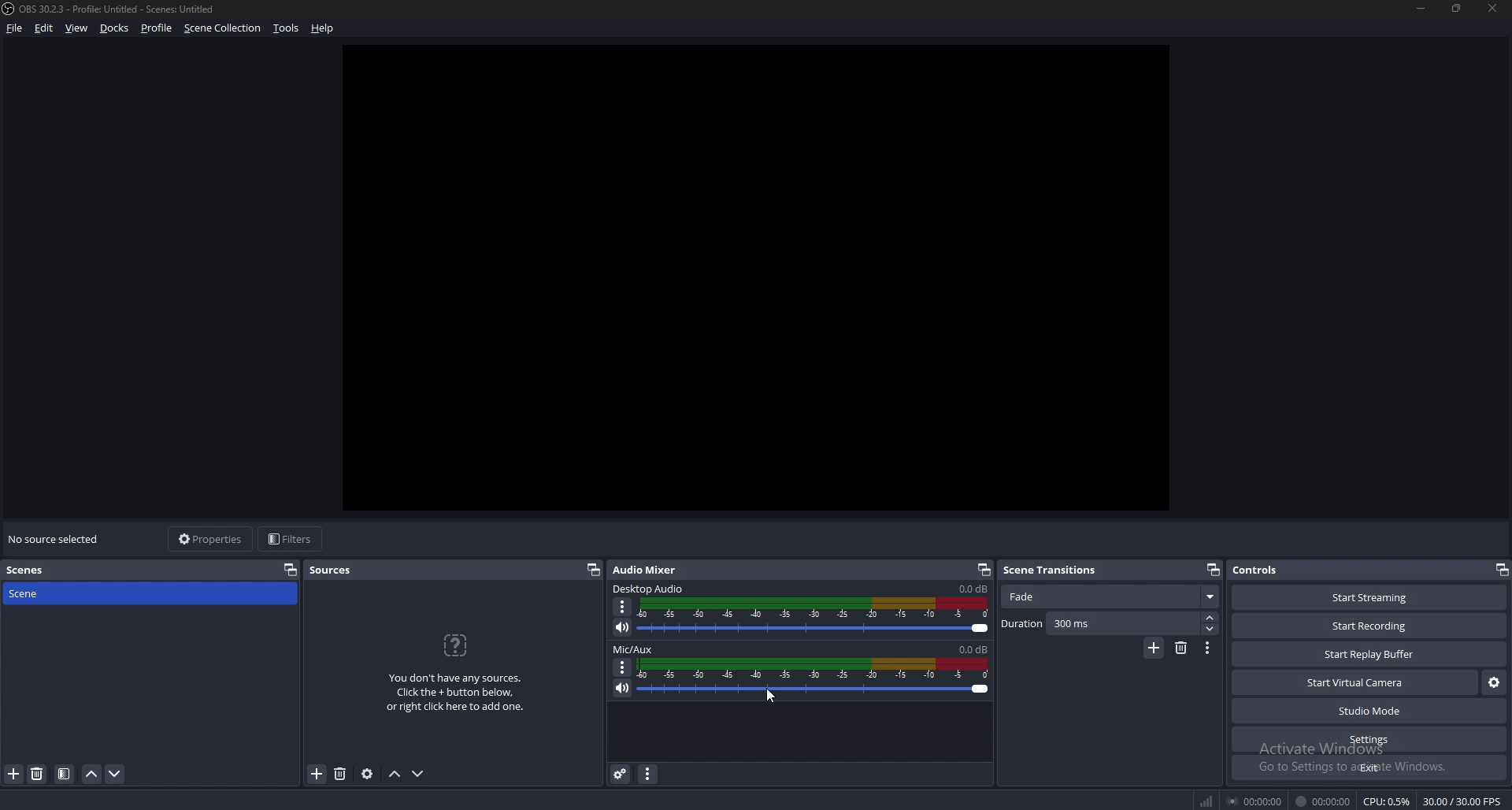 This screenshot has height=810, width=1512. I want to click on view, so click(78, 28).